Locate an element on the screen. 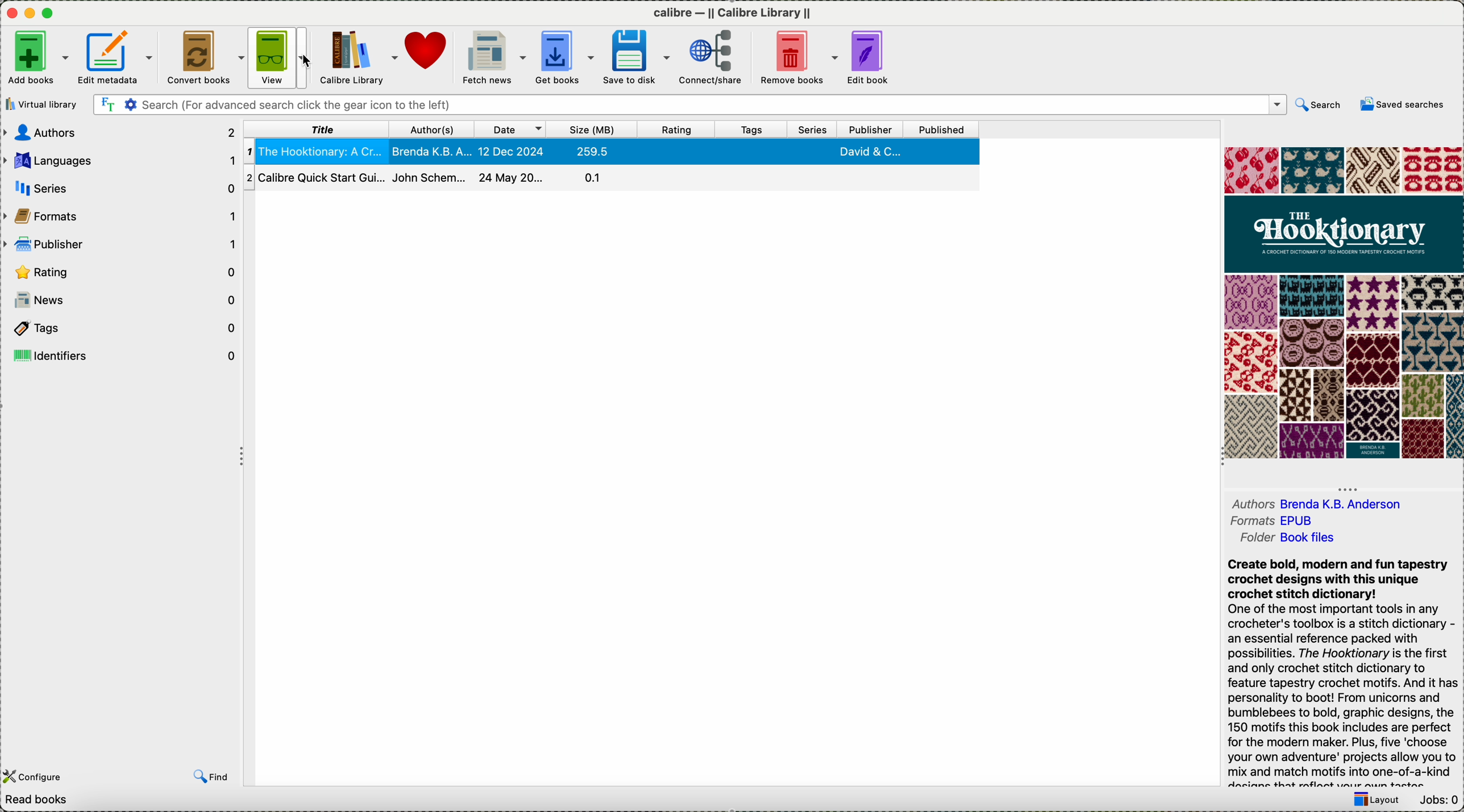 This screenshot has height=812, width=1464. search is located at coordinates (1319, 105).